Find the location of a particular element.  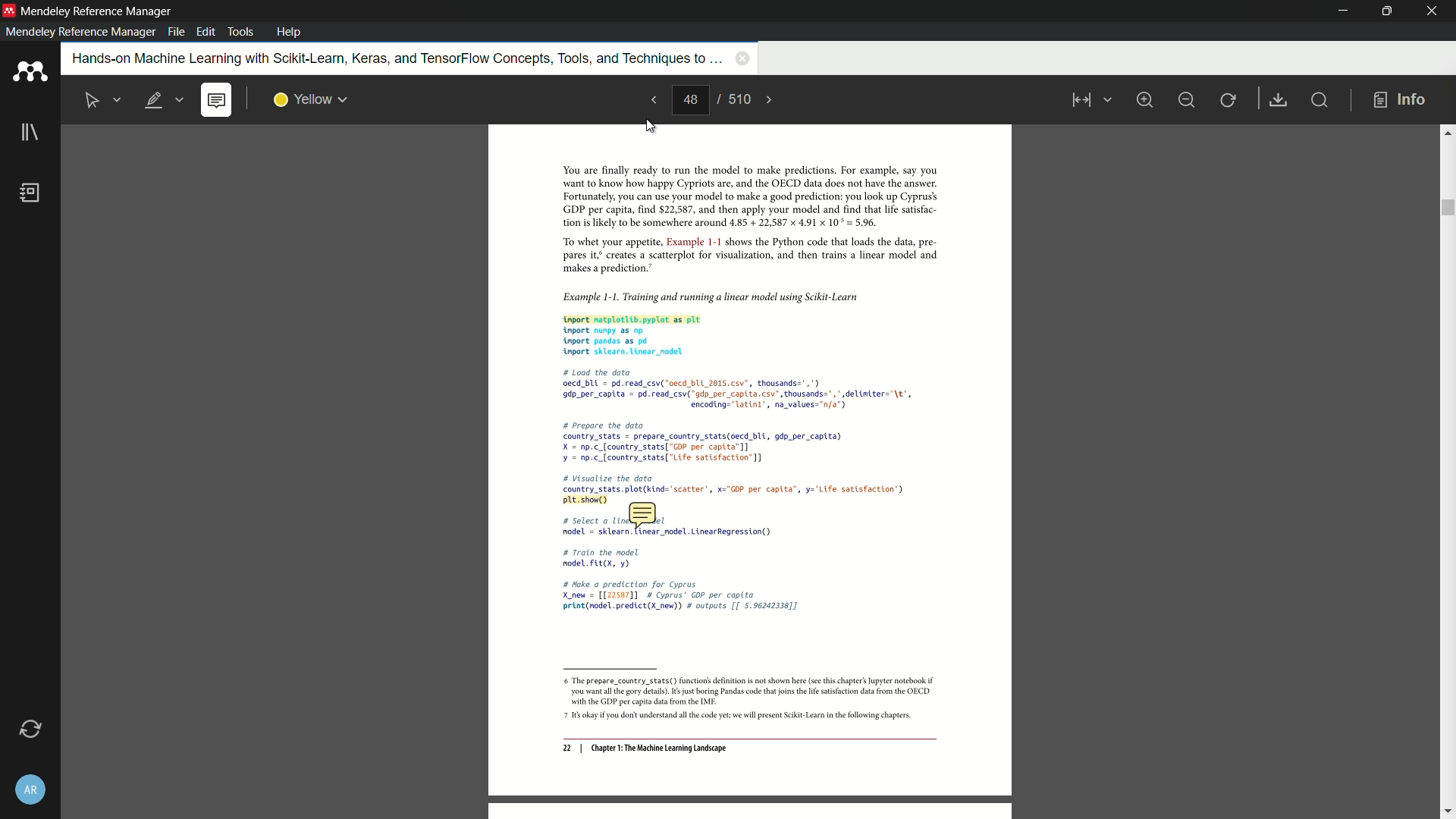

next page is located at coordinates (770, 100).